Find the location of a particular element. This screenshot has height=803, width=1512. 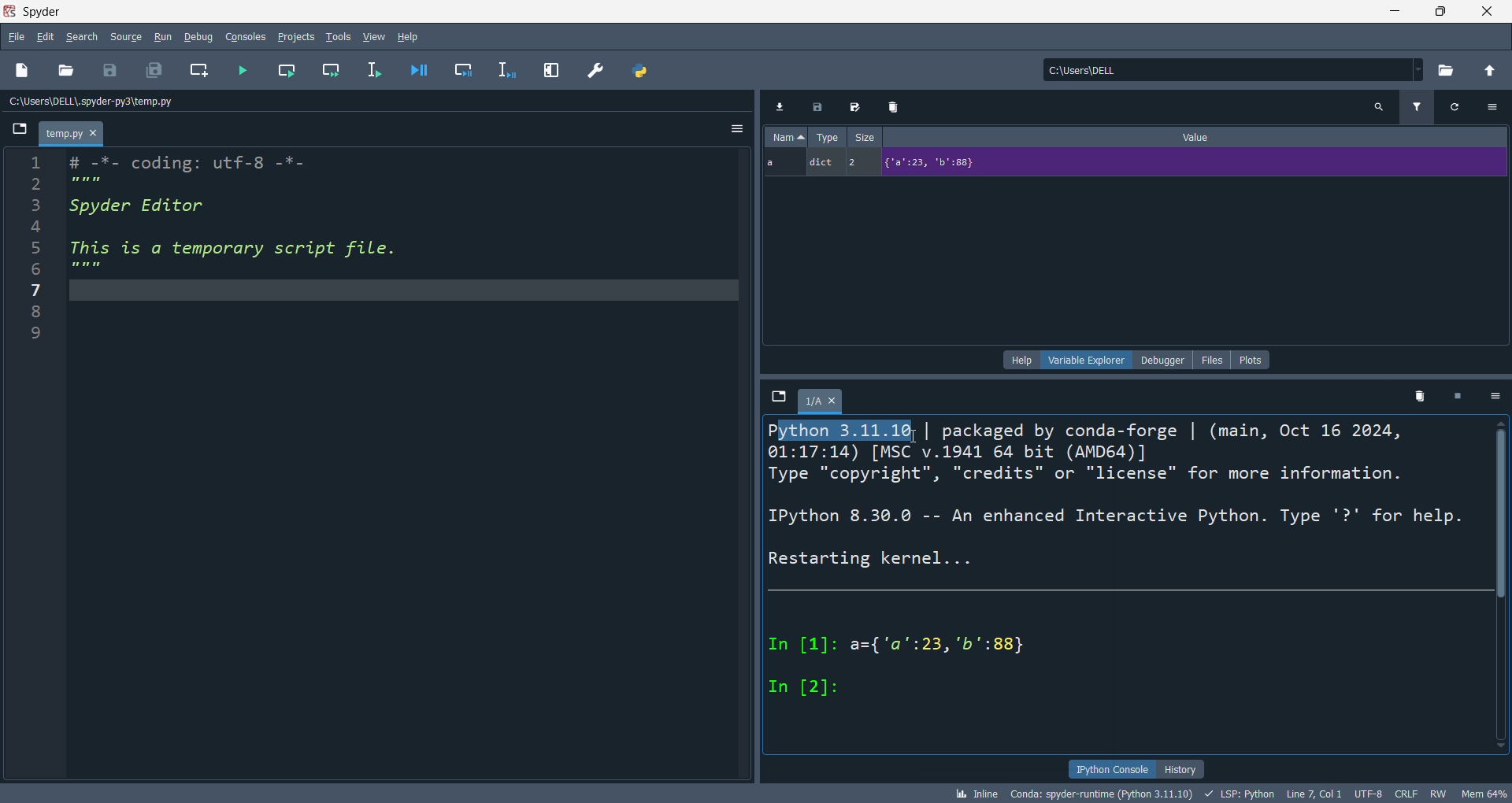

delete is located at coordinates (897, 105).